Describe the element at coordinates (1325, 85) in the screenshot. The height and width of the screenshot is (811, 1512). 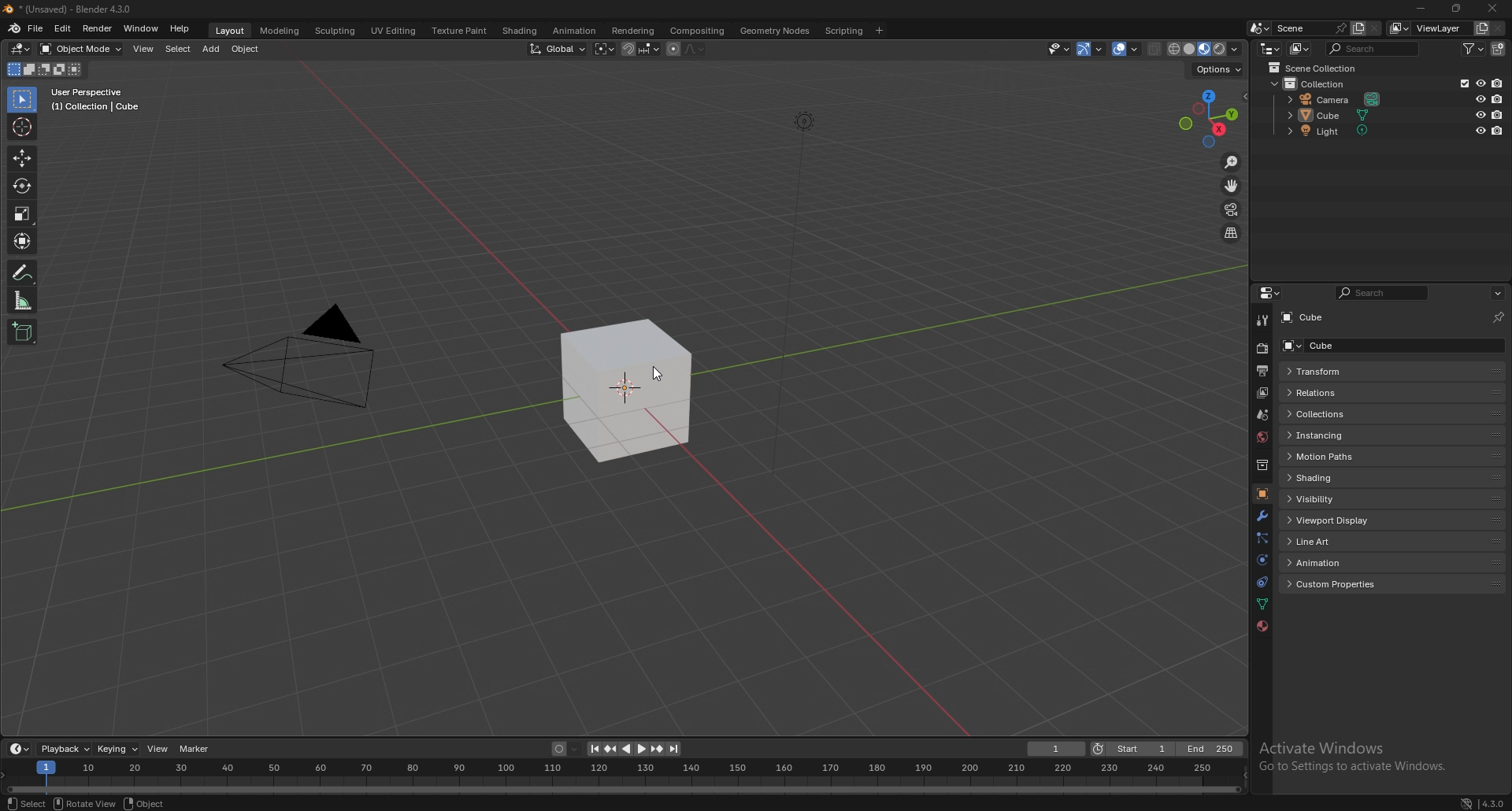
I see `collection` at that location.